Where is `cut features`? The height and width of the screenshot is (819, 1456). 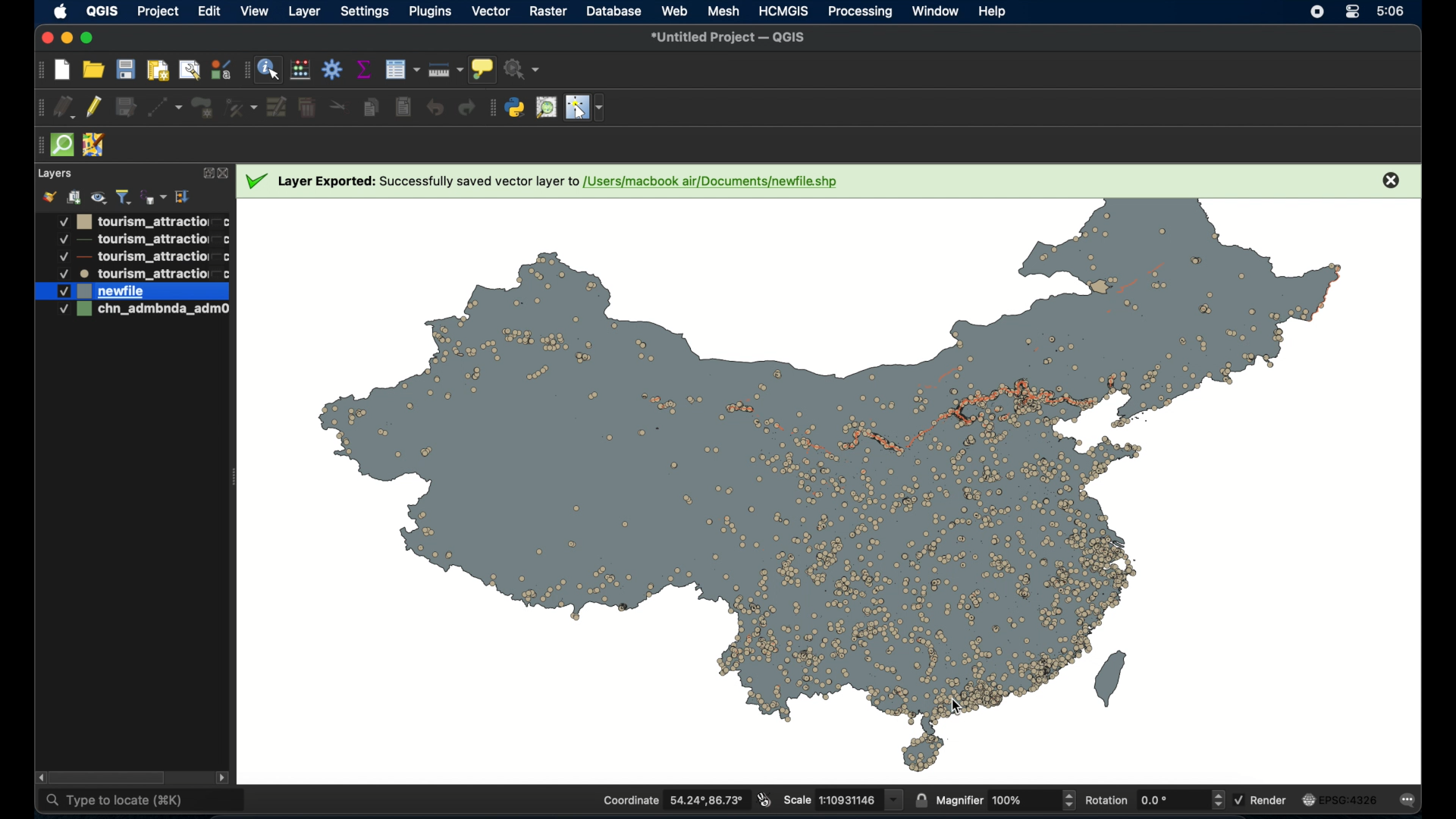
cut features is located at coordinates (340, 105).